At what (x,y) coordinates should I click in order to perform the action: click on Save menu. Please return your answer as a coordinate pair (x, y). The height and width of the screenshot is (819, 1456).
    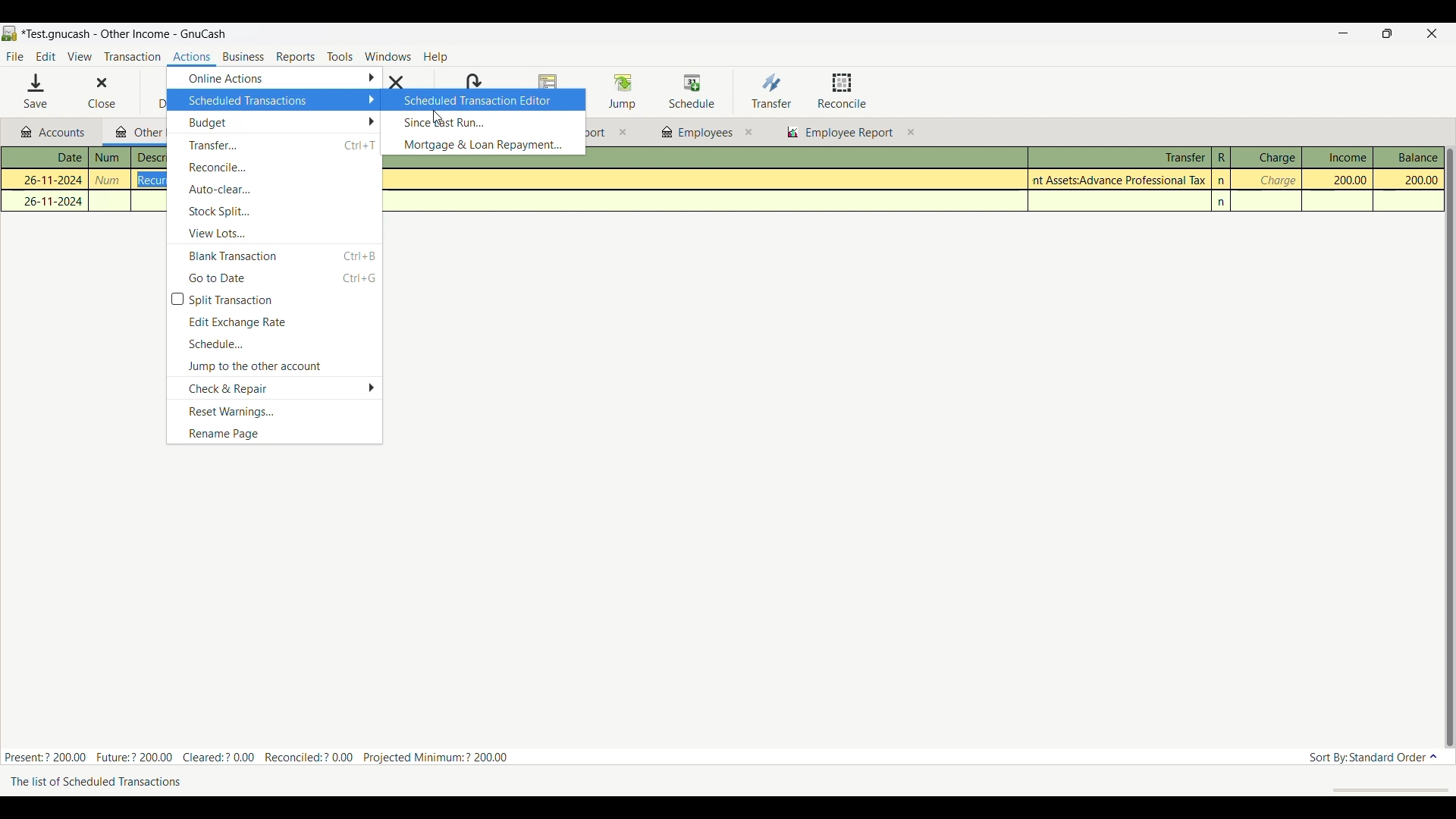
    Looking at the image, I should click on (37, 91).